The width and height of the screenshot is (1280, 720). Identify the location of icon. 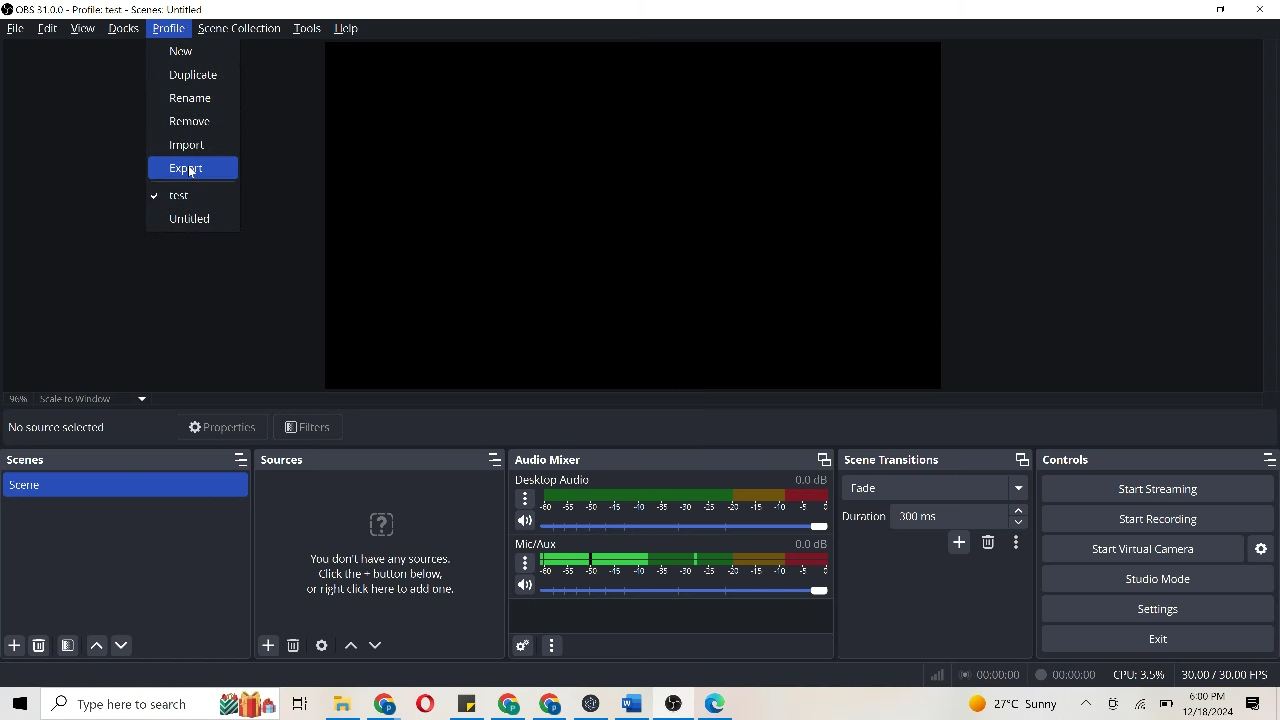
(1114, 702).